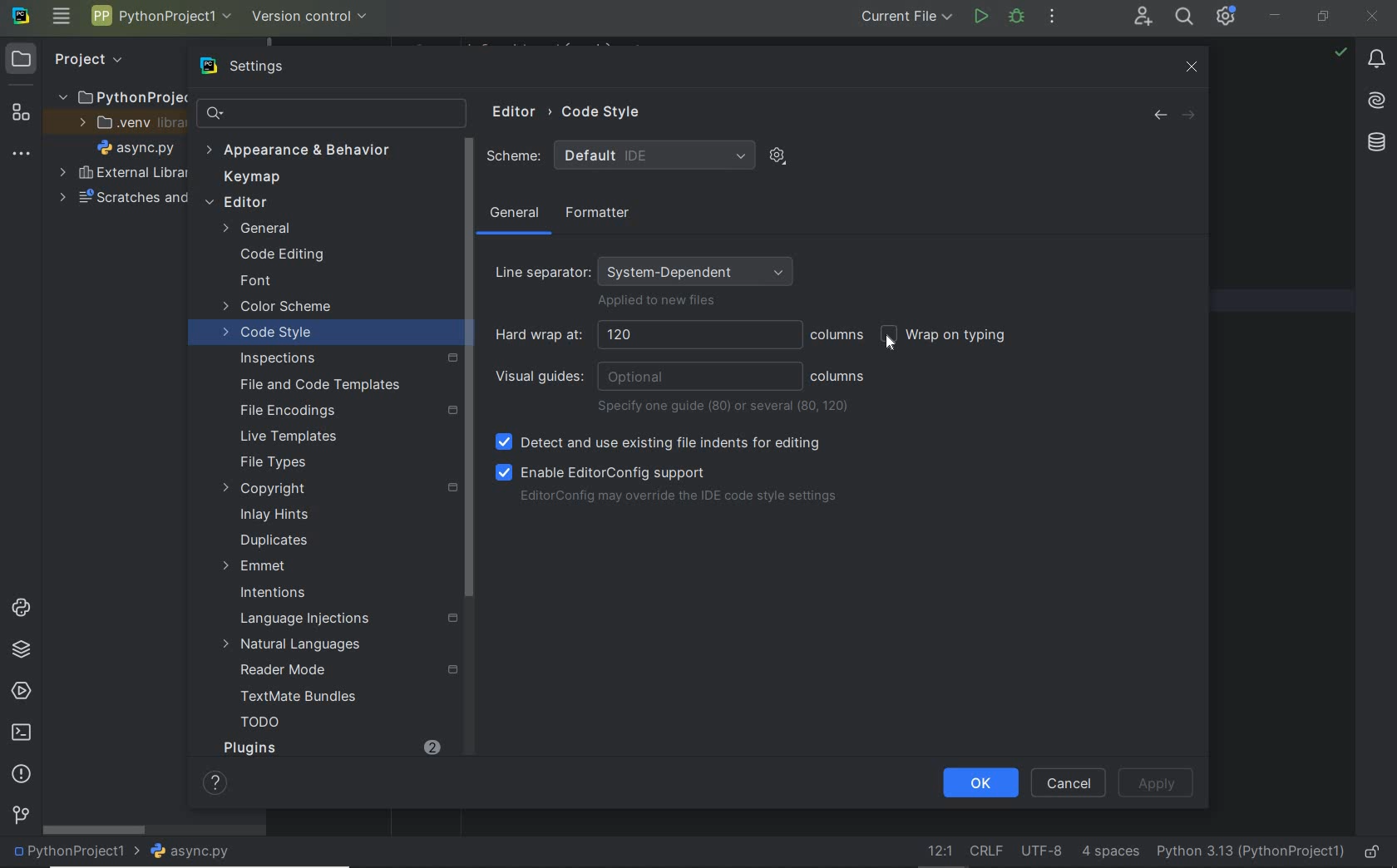 Image resolution: width=1397 pixels, height=868 pixels. What do you see at coordinates (310, 151) in the screenshot?
I see `Appearance & behavior` at bounding box center [310, 151].